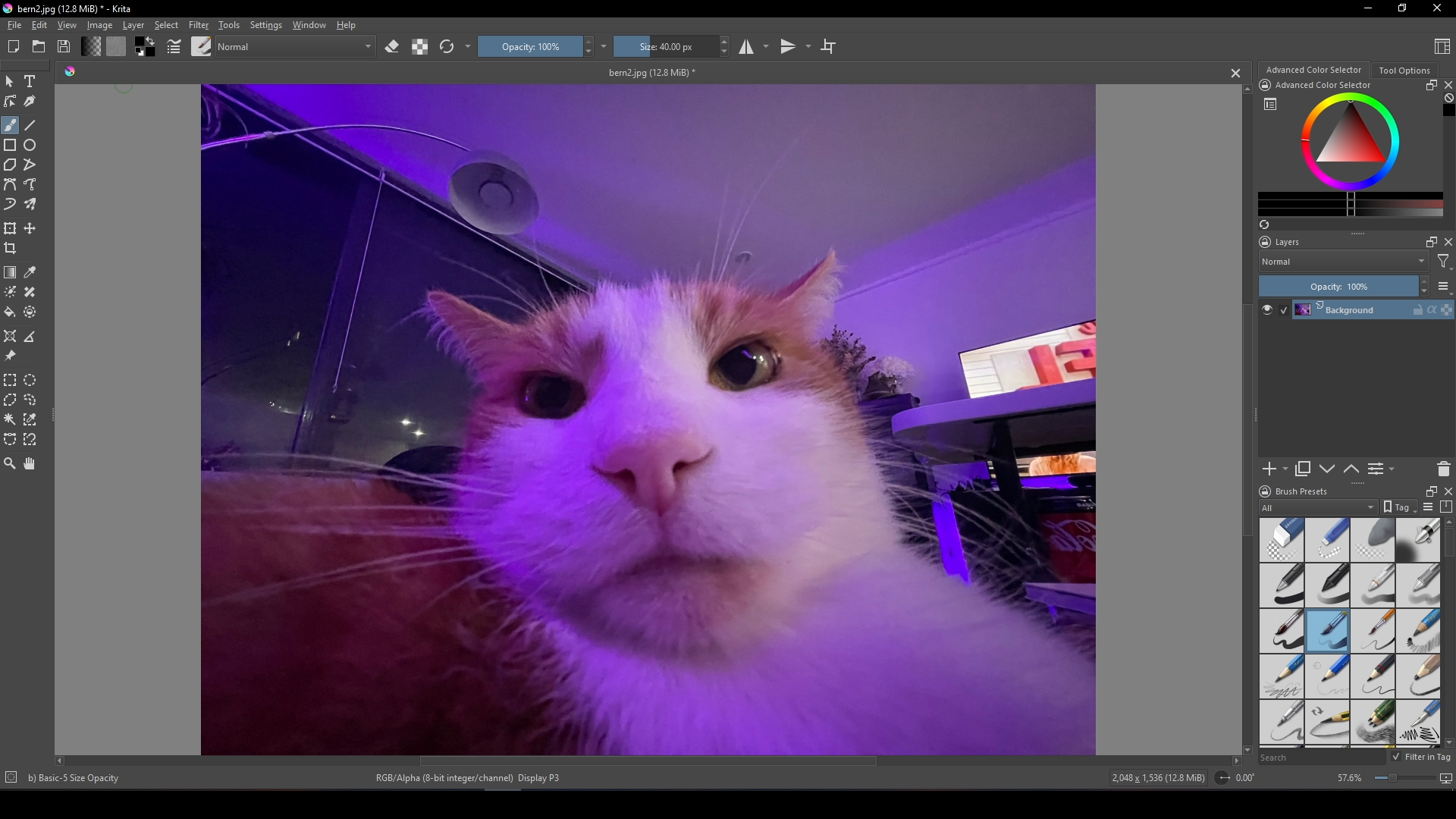  Describe the element at coordinates (1276, 469) in the screenshot. I see `Add layer` at that location.